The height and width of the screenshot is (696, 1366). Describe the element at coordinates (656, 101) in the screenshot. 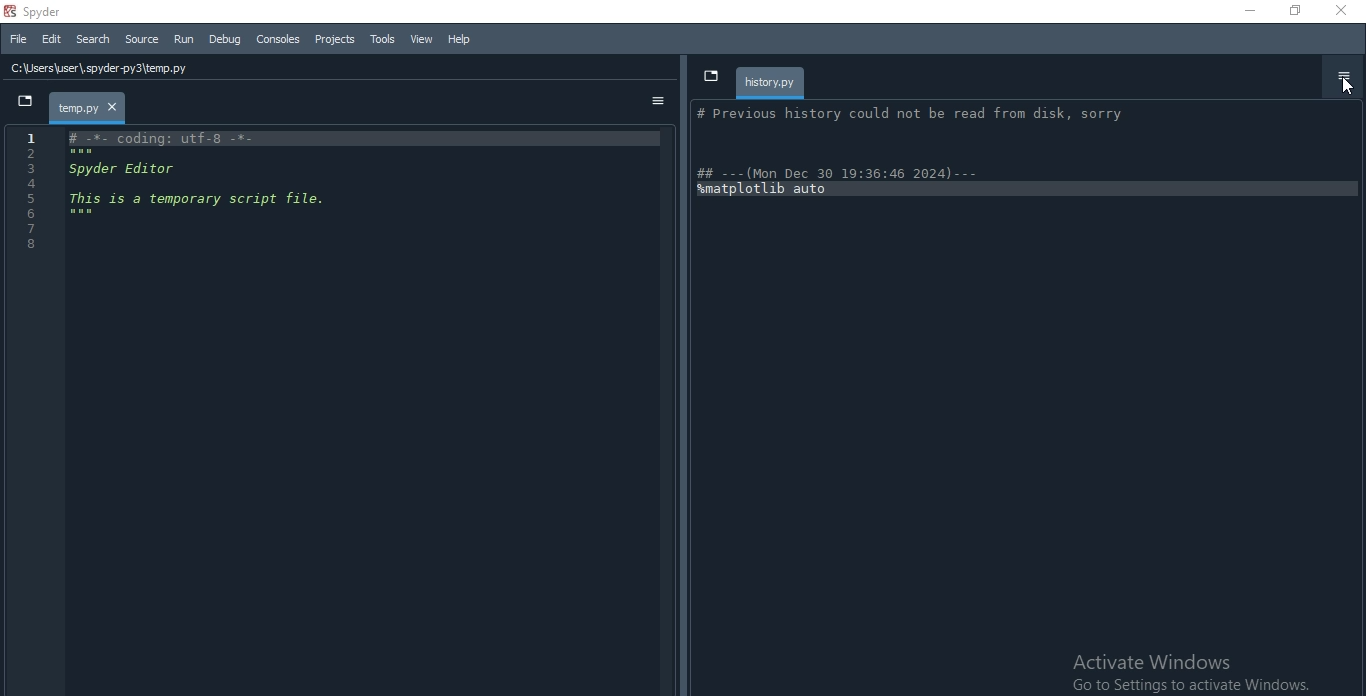

I see `options` at that location.